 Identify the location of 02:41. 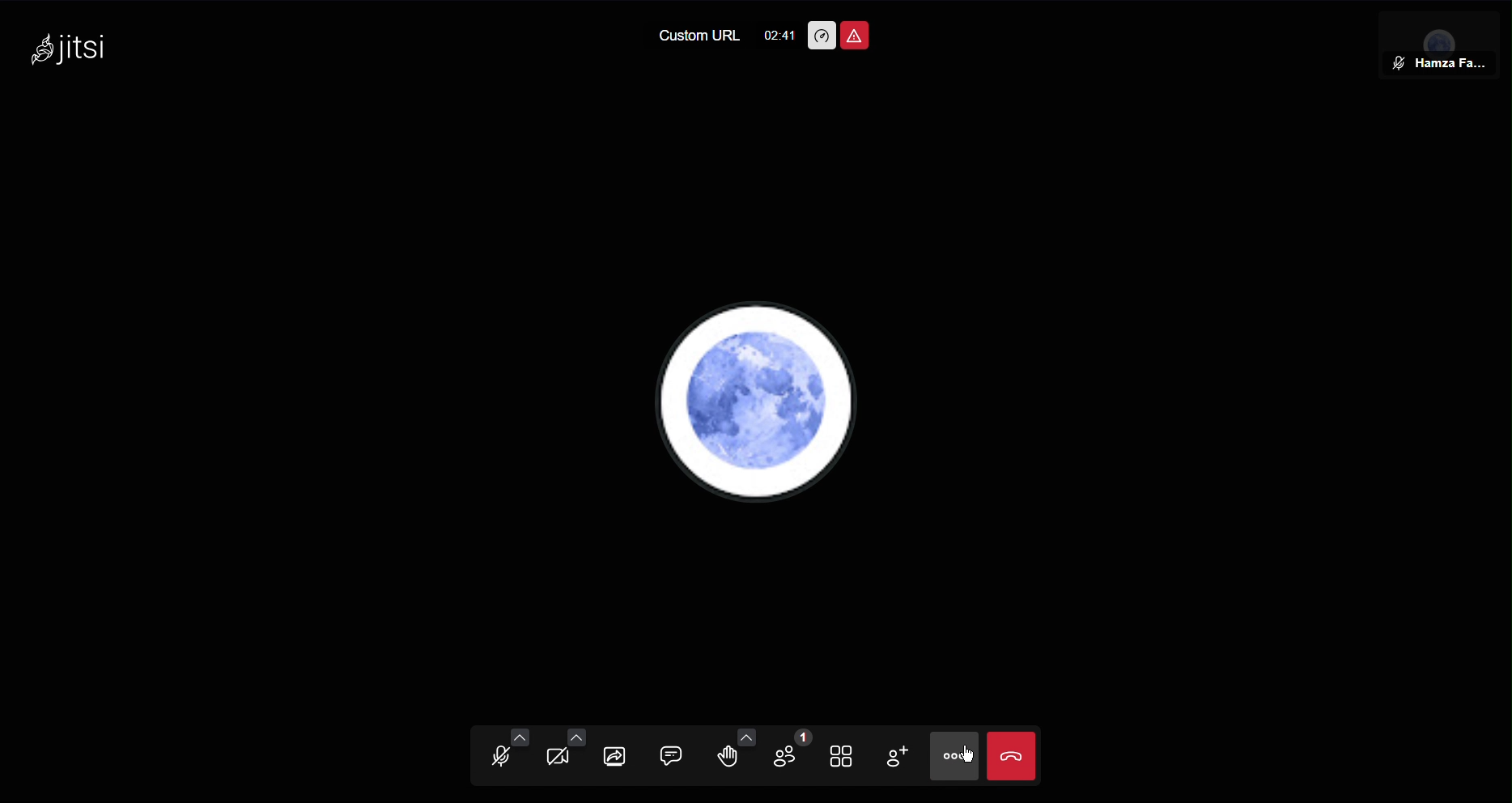
(779, 32).